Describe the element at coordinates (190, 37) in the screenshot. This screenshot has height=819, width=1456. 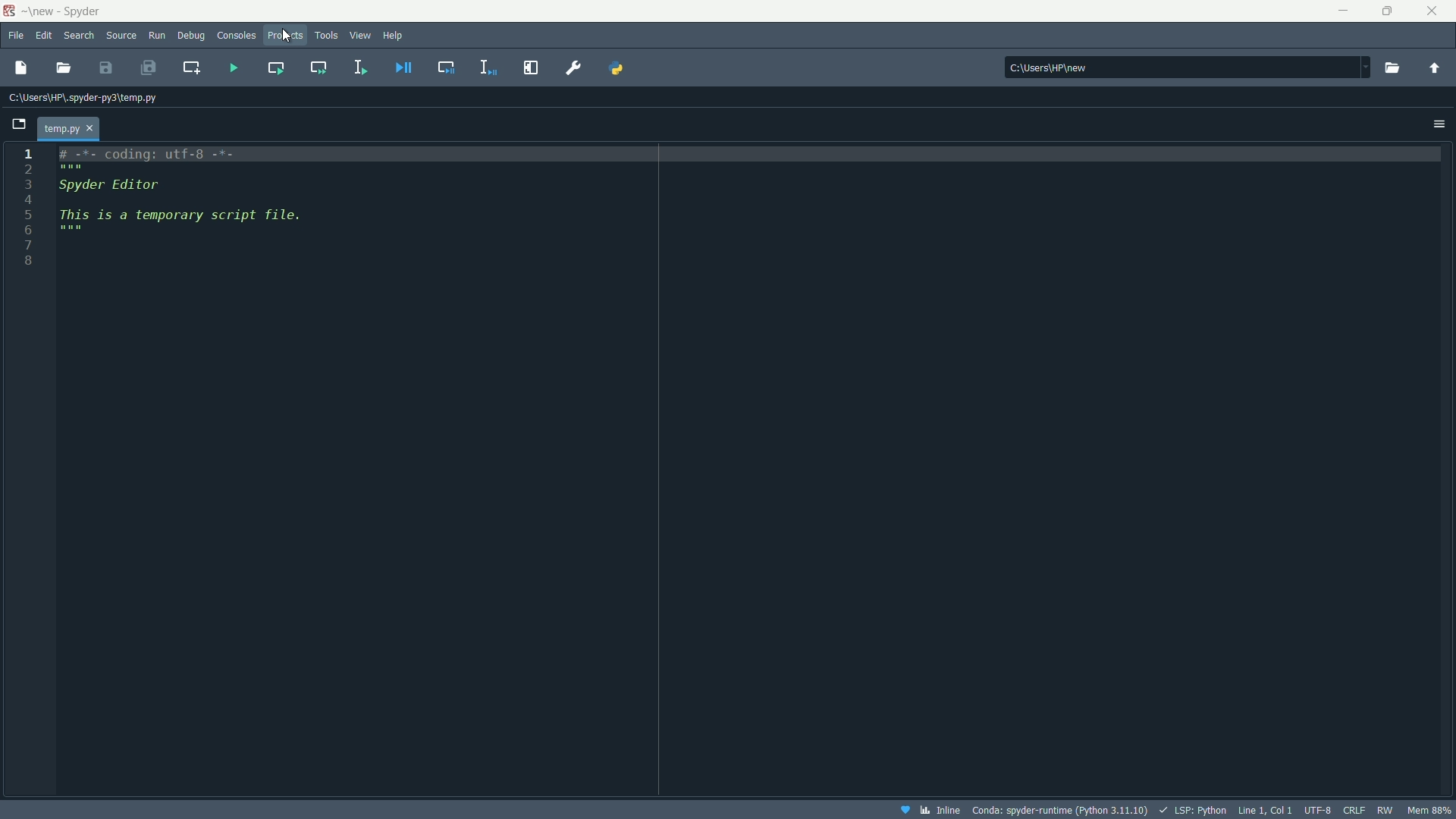
I see `Debug Menu` at that location.